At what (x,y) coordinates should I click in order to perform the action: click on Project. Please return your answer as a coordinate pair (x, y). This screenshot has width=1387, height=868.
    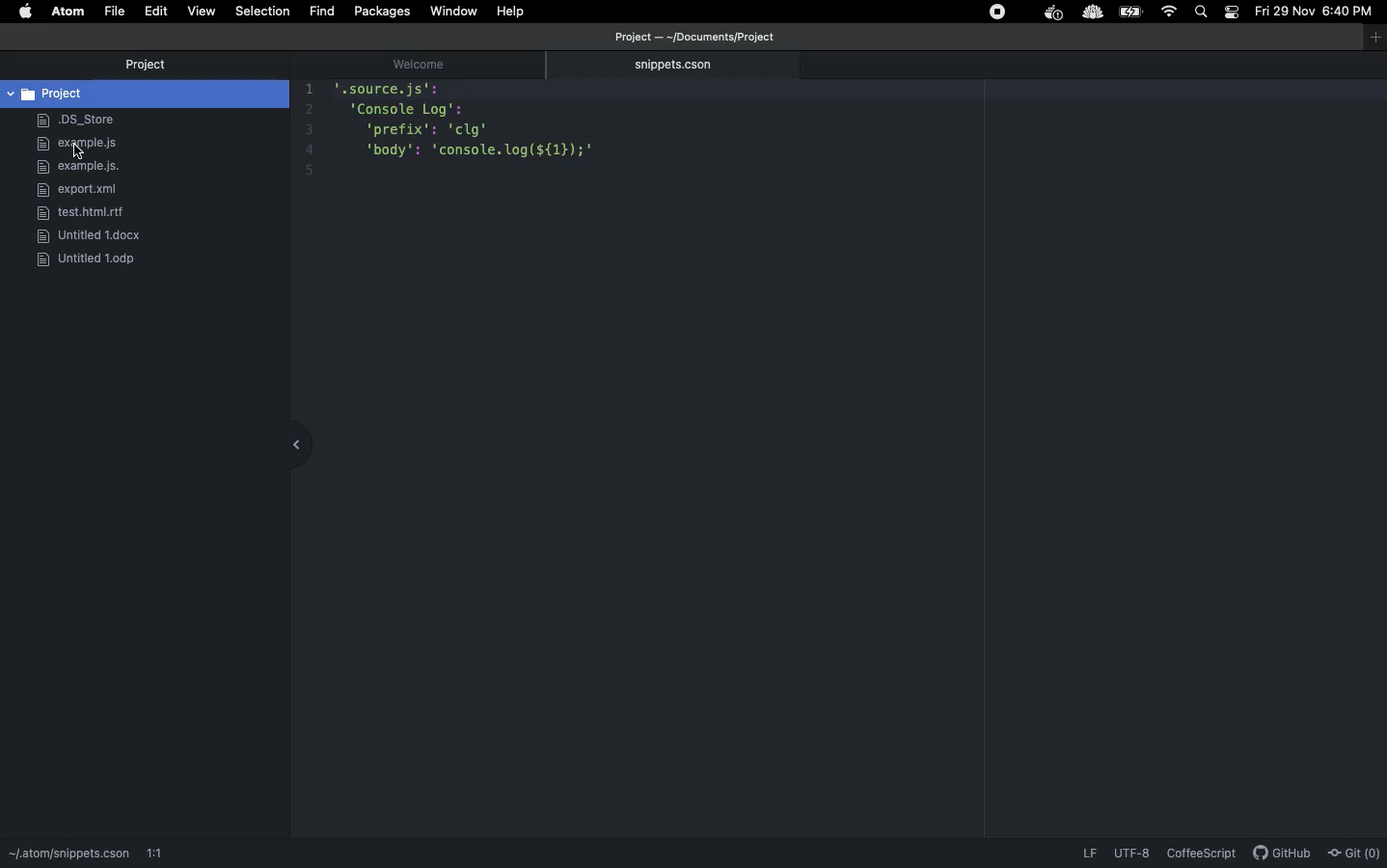
    Looking at the image, I should click on (145, 94).